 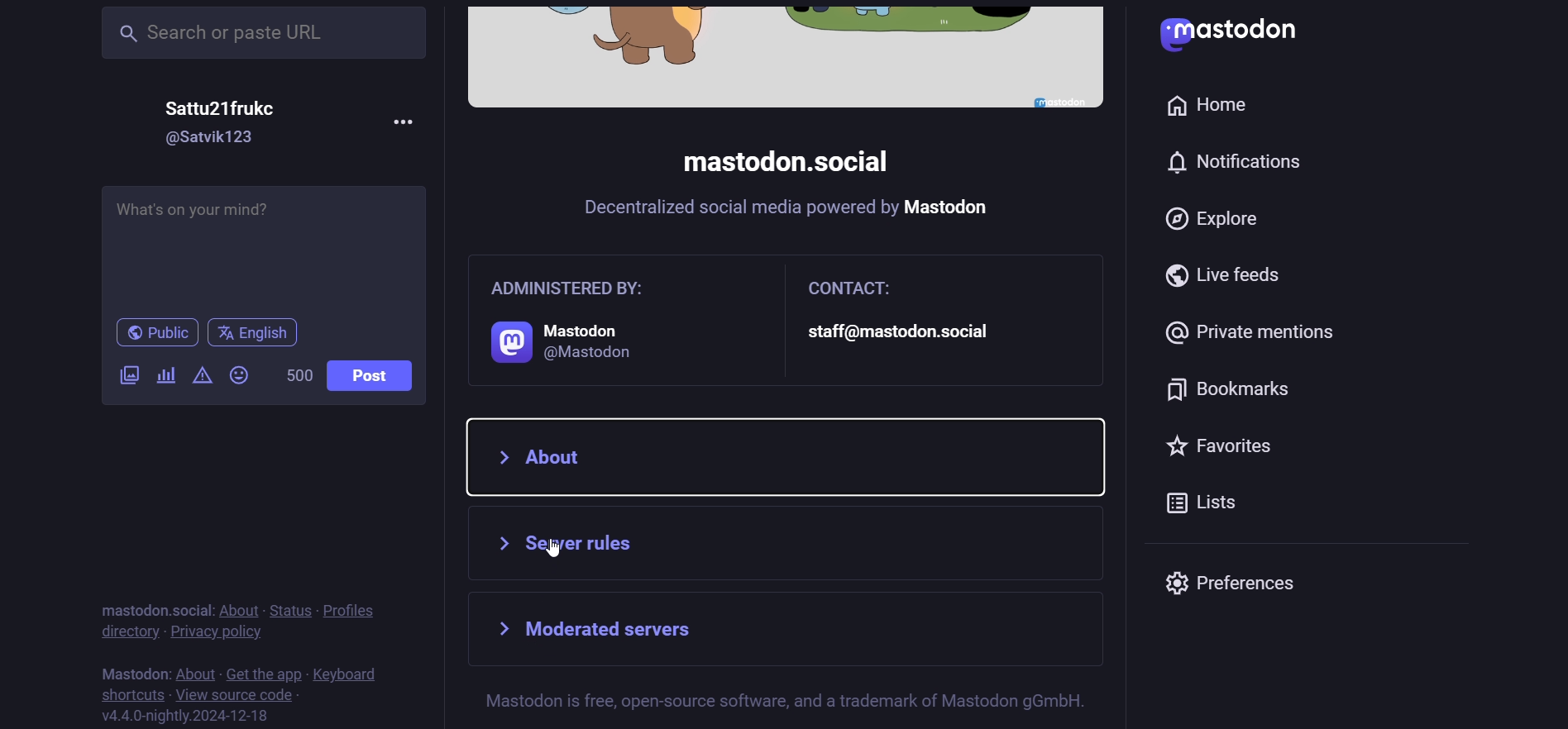 What do you see at coordinates (350, 674) in the screenshot?
I see `keyboard` at bounding box center [350, 674].